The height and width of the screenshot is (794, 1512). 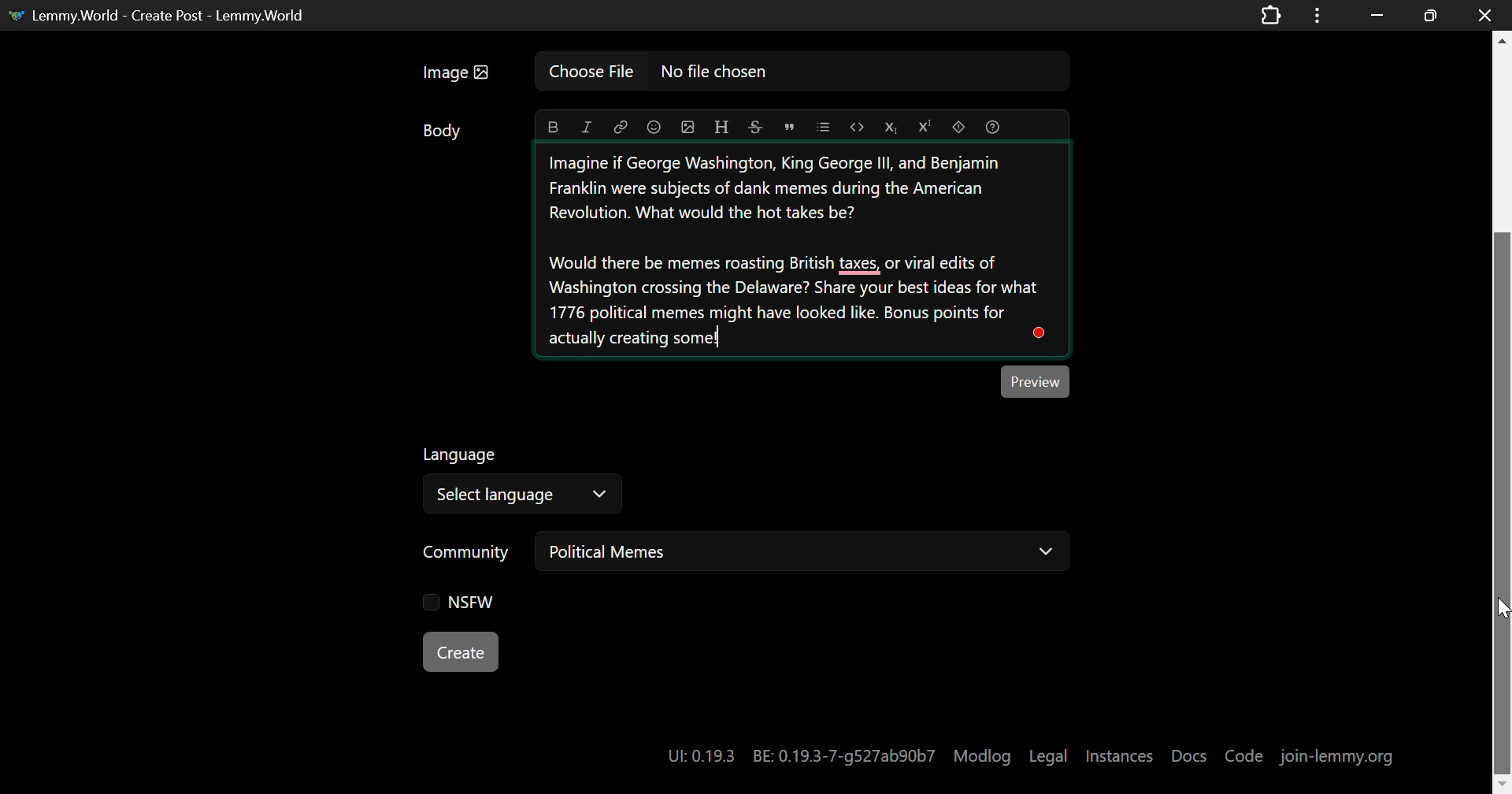 I want to click on UI:: 0.19.3 BE: 0.19.3-7-g527ab90b7, so click(x=795, y=758).